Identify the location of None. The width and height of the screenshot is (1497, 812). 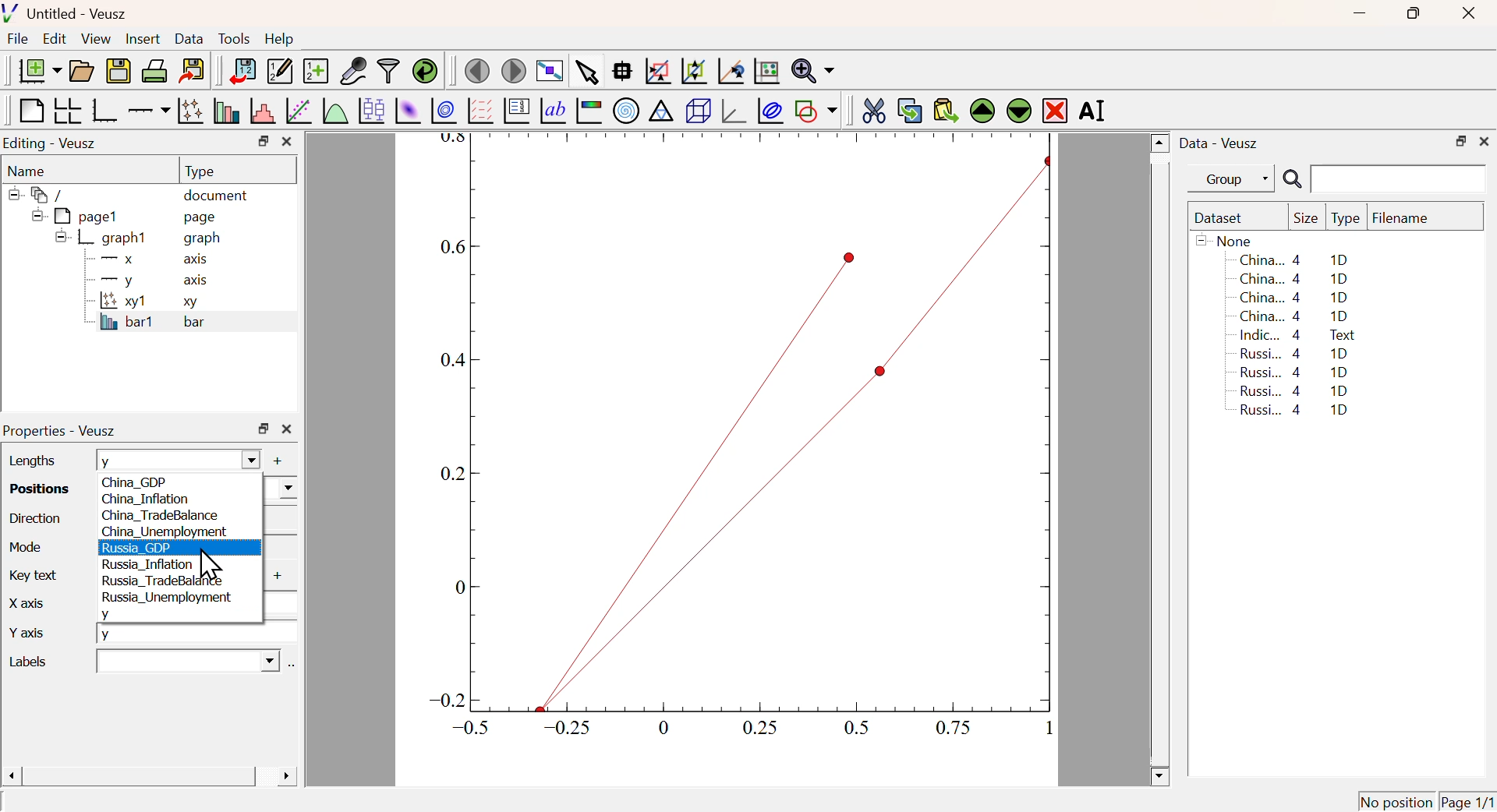
(1226, 240).